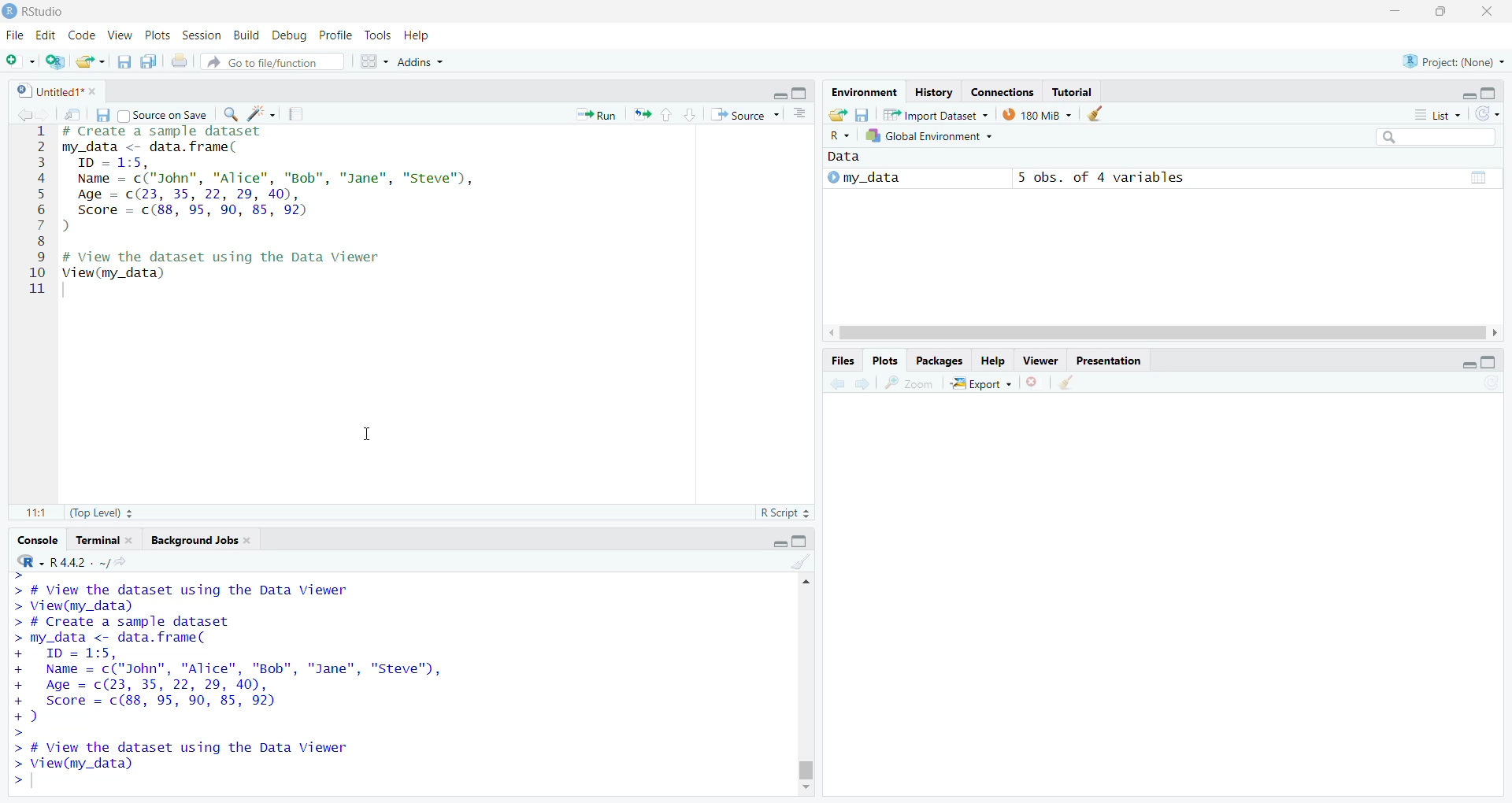 The width and height of the screenshot is (1512, 803). I want to click on workspaces pane, so click(373, 64).